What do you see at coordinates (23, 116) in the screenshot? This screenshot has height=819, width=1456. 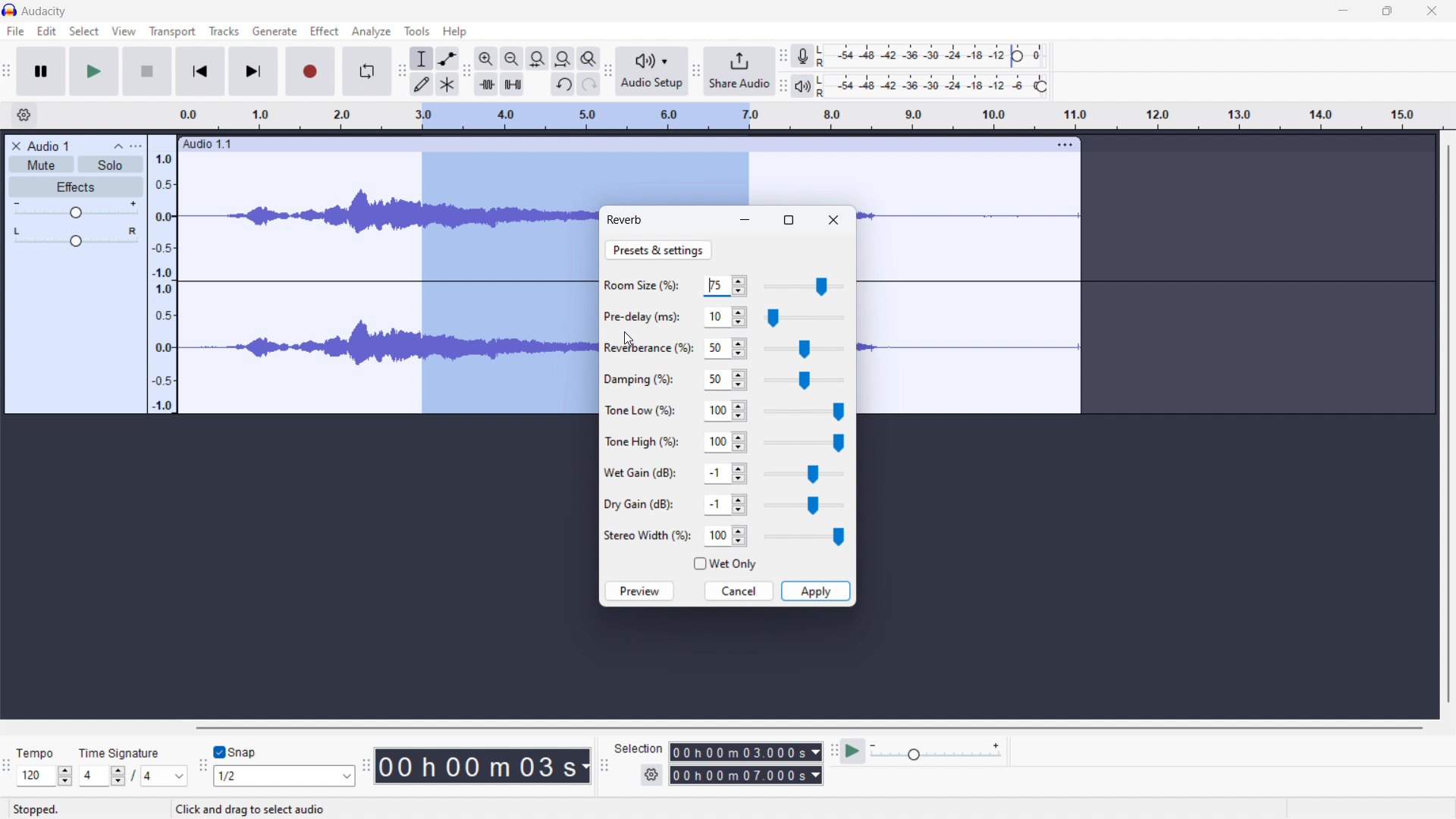 I see `settings` at bounding box center [23, 116].